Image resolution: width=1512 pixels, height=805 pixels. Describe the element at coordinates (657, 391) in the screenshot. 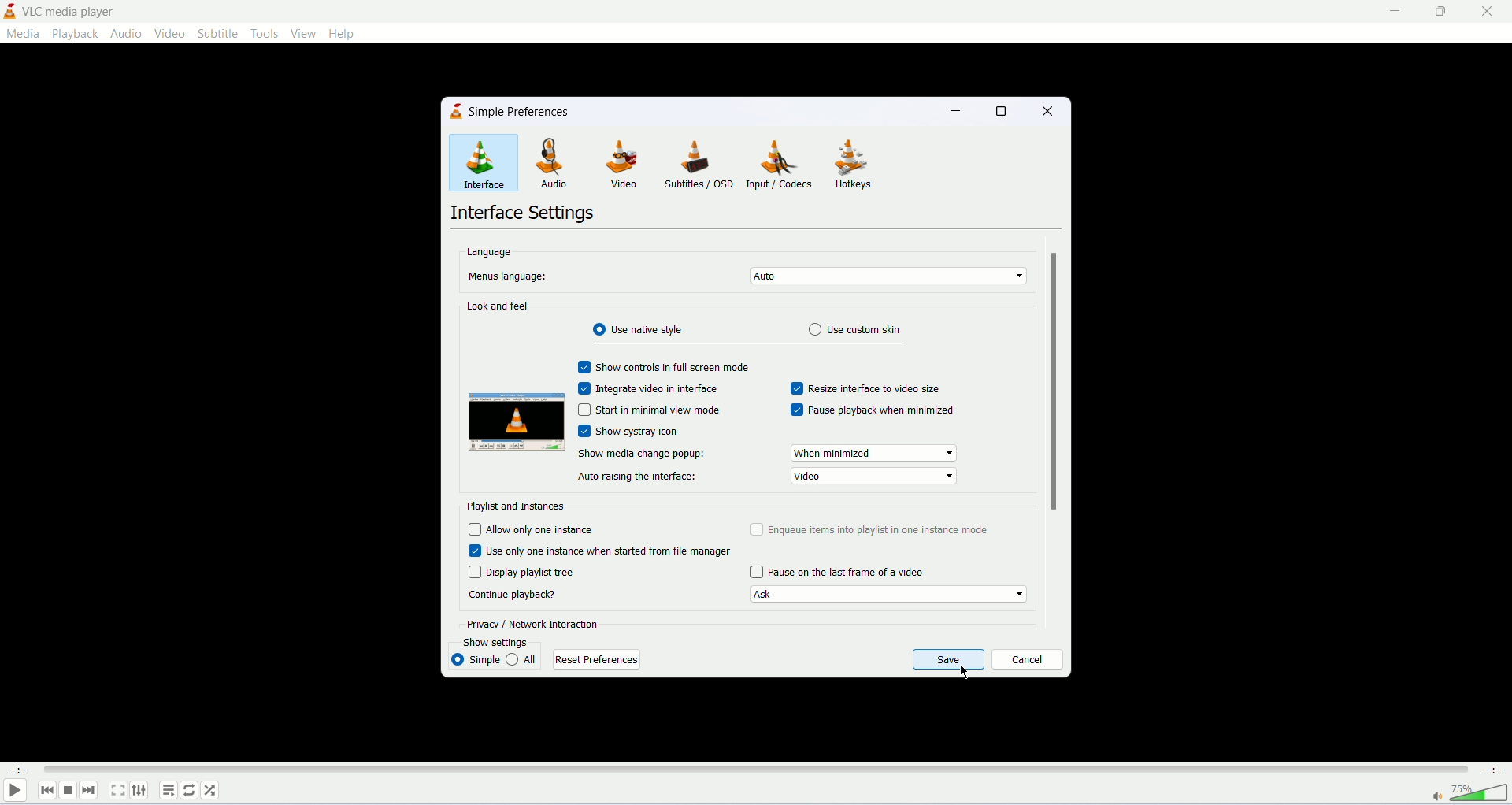

I see `integrate video` at that location.